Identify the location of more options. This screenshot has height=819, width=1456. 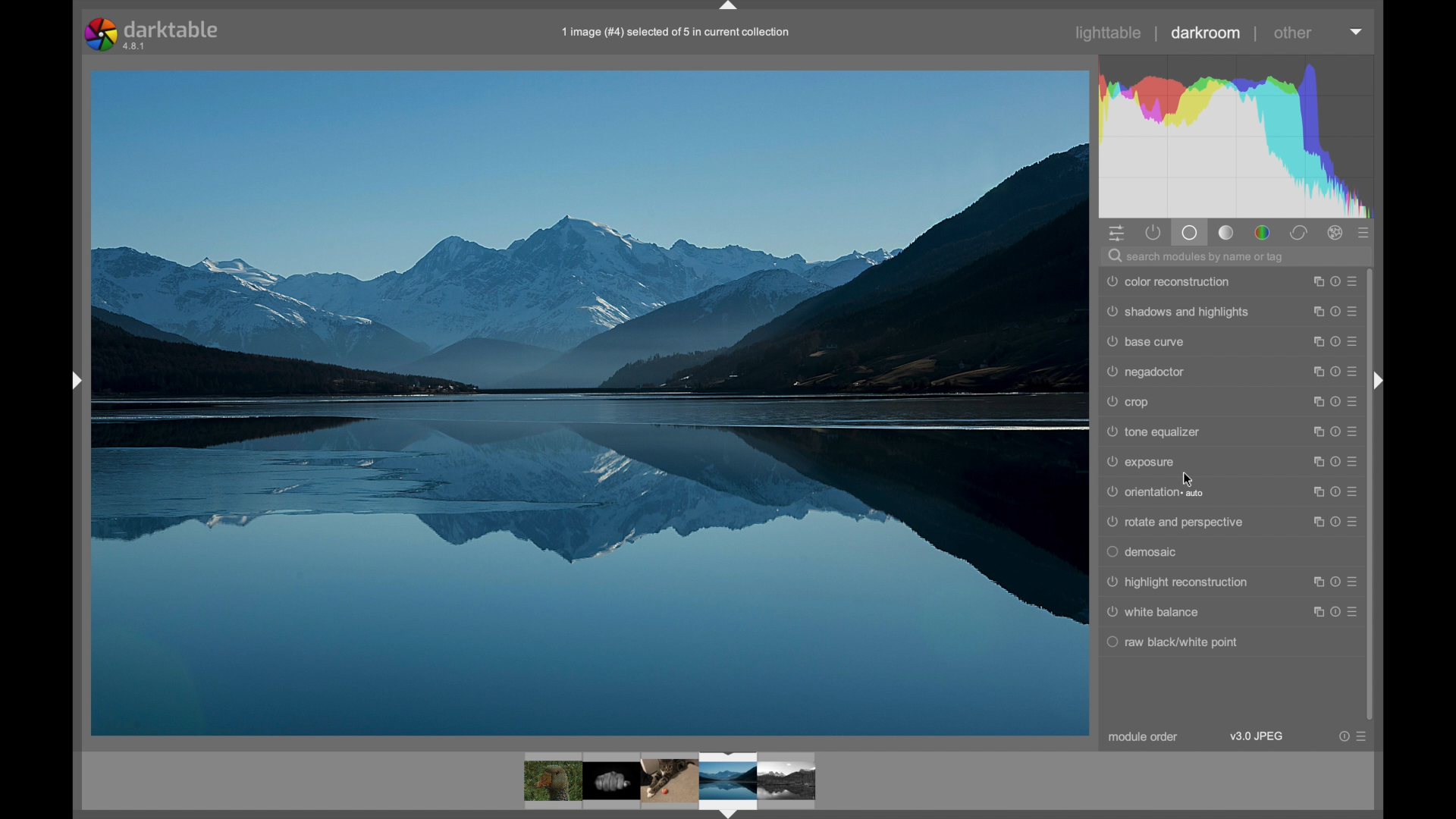
(1335, 462).